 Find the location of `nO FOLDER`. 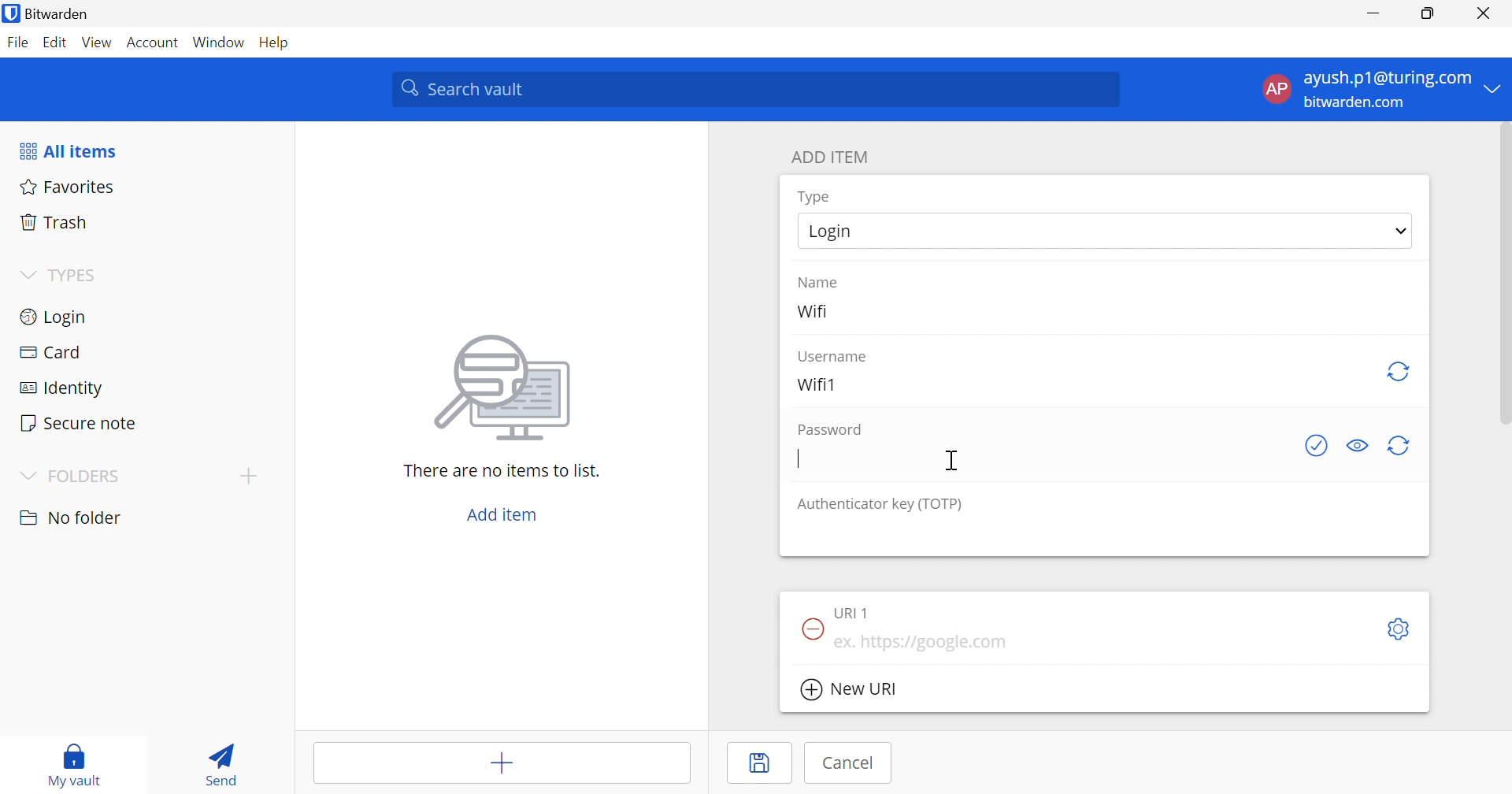

nO FOLDER is located at coordinates (70, 518).